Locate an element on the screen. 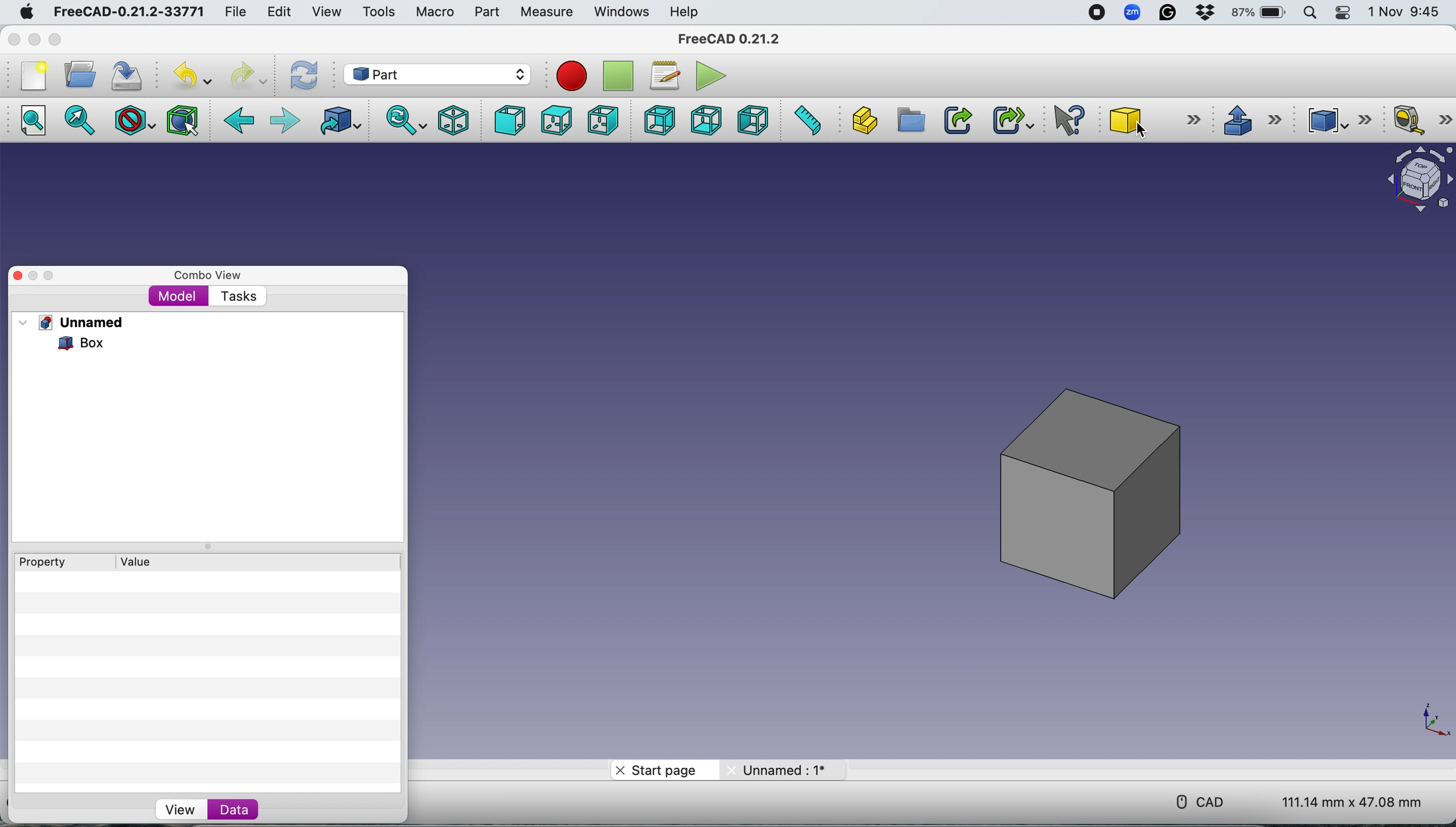  Maximise is located at coordinates (51, 276).